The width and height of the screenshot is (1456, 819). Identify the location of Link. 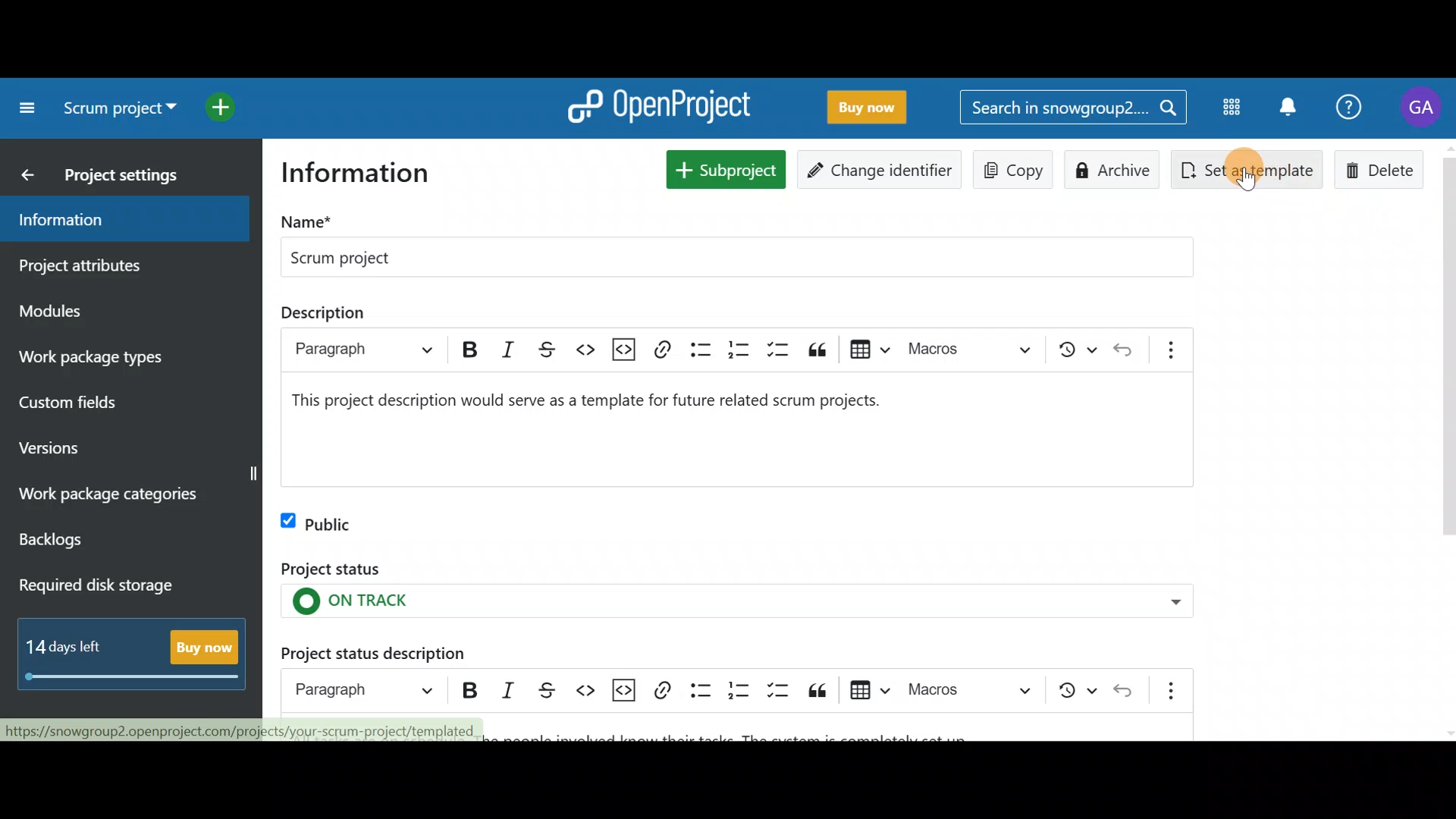
(661, 692).